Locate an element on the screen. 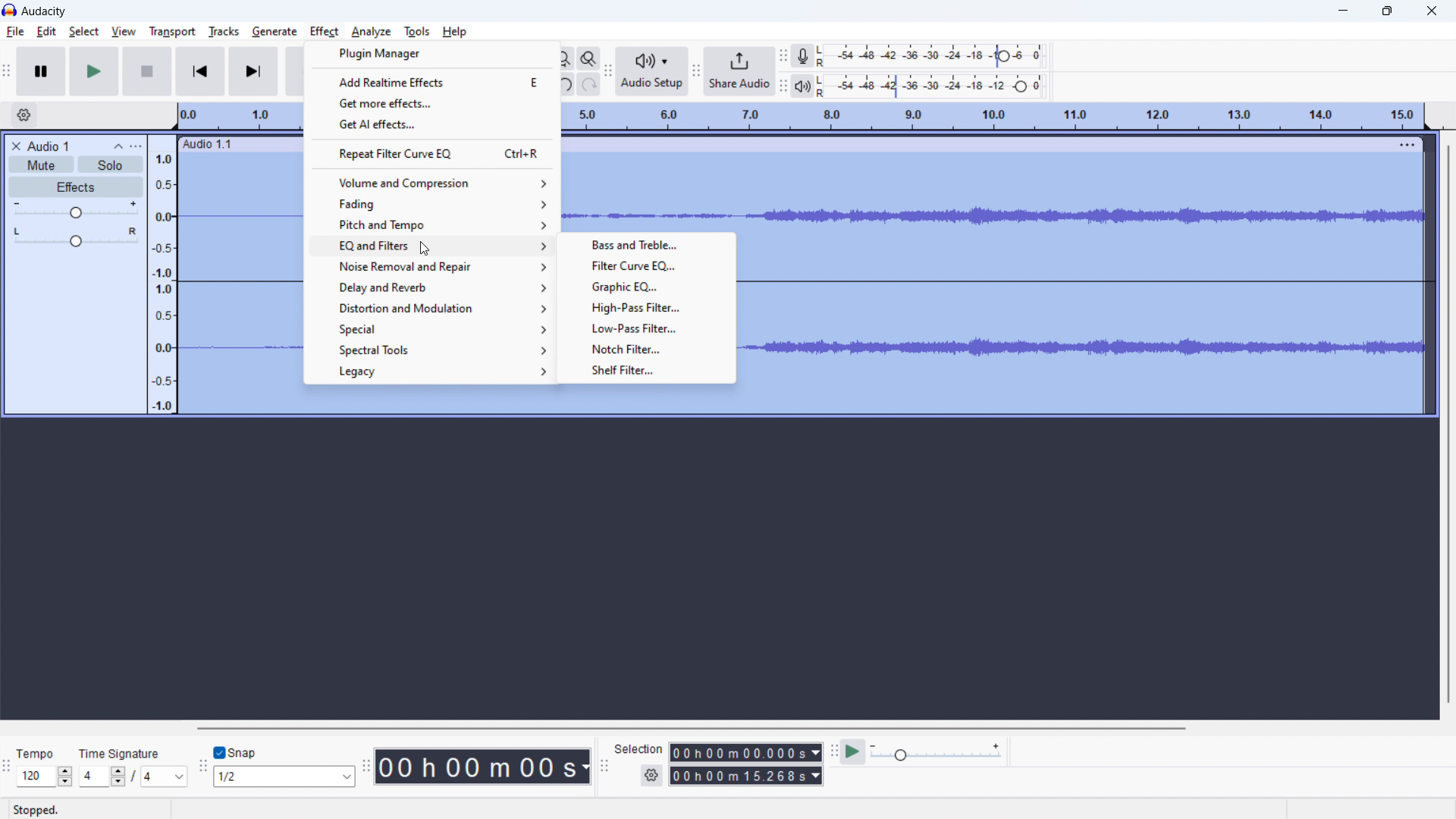 The height and width of the screenshot is (819, 1456). tools is located at coordinates (416, 32).